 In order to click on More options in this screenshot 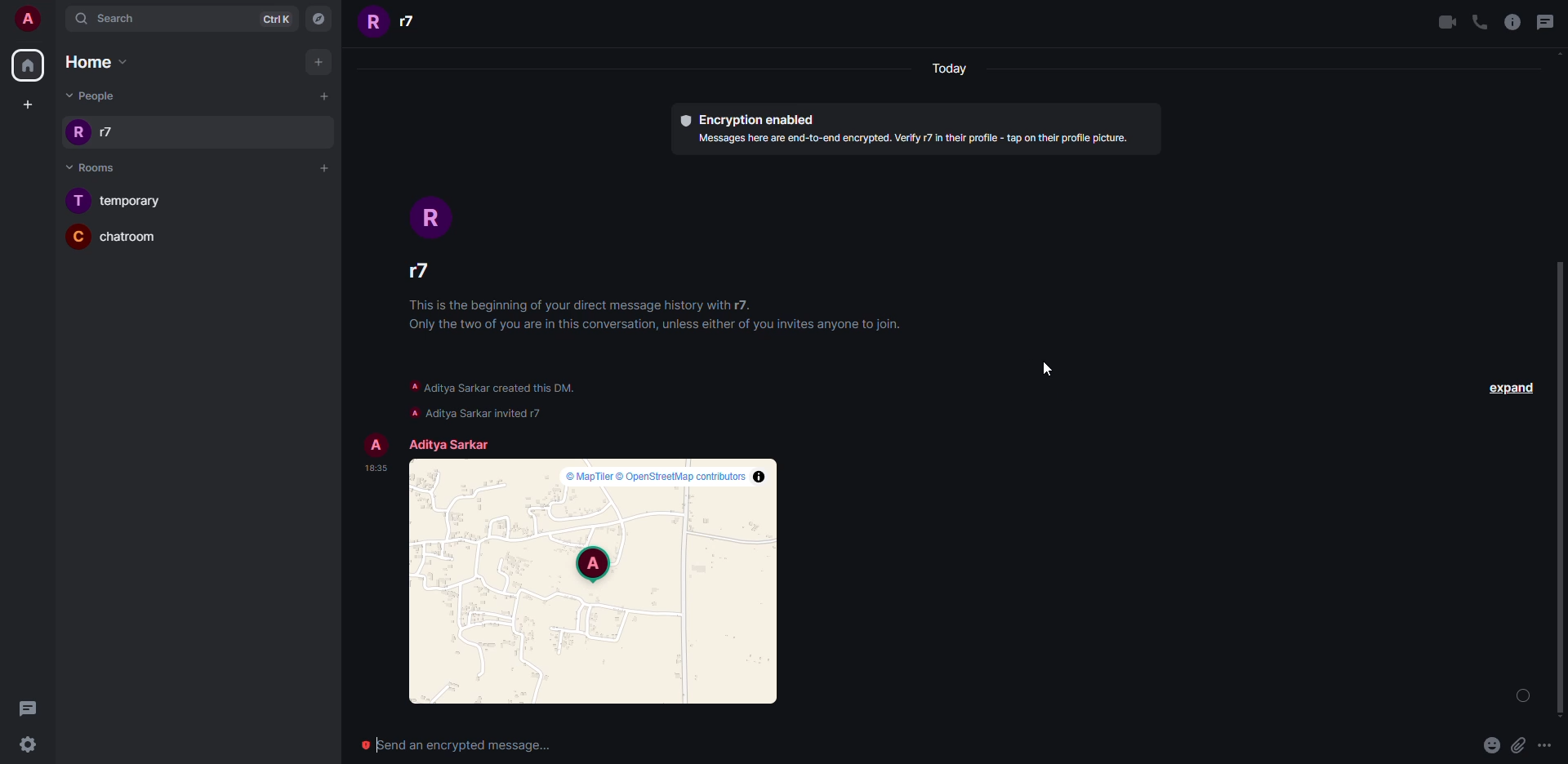, I will do `click(1546, 744)`.